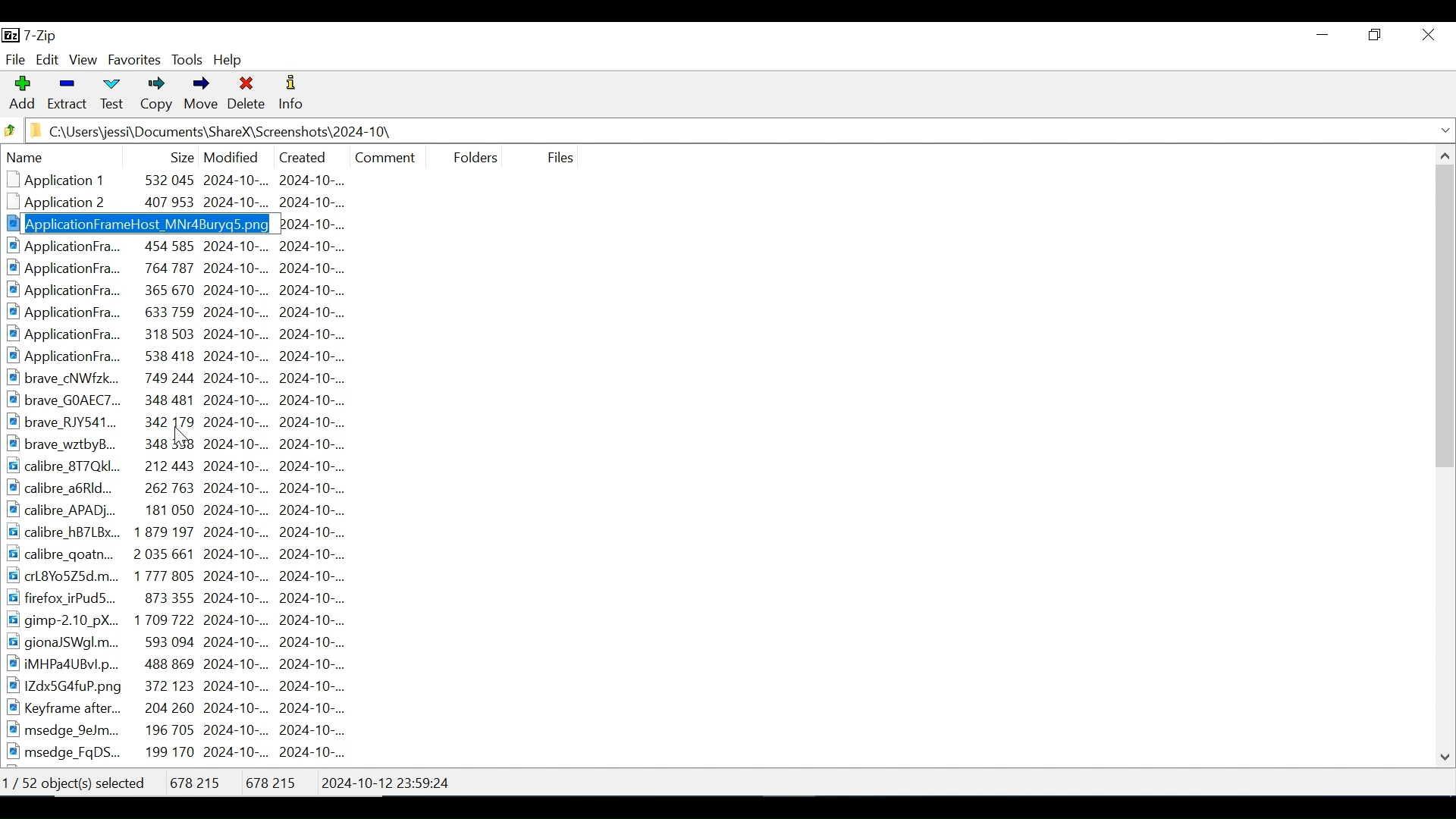  Describe the element at coordinates (194, 224) in the screenshot. I see `Applicationfra... 678 215 2024-10-.. 2024-10-...` at that location.